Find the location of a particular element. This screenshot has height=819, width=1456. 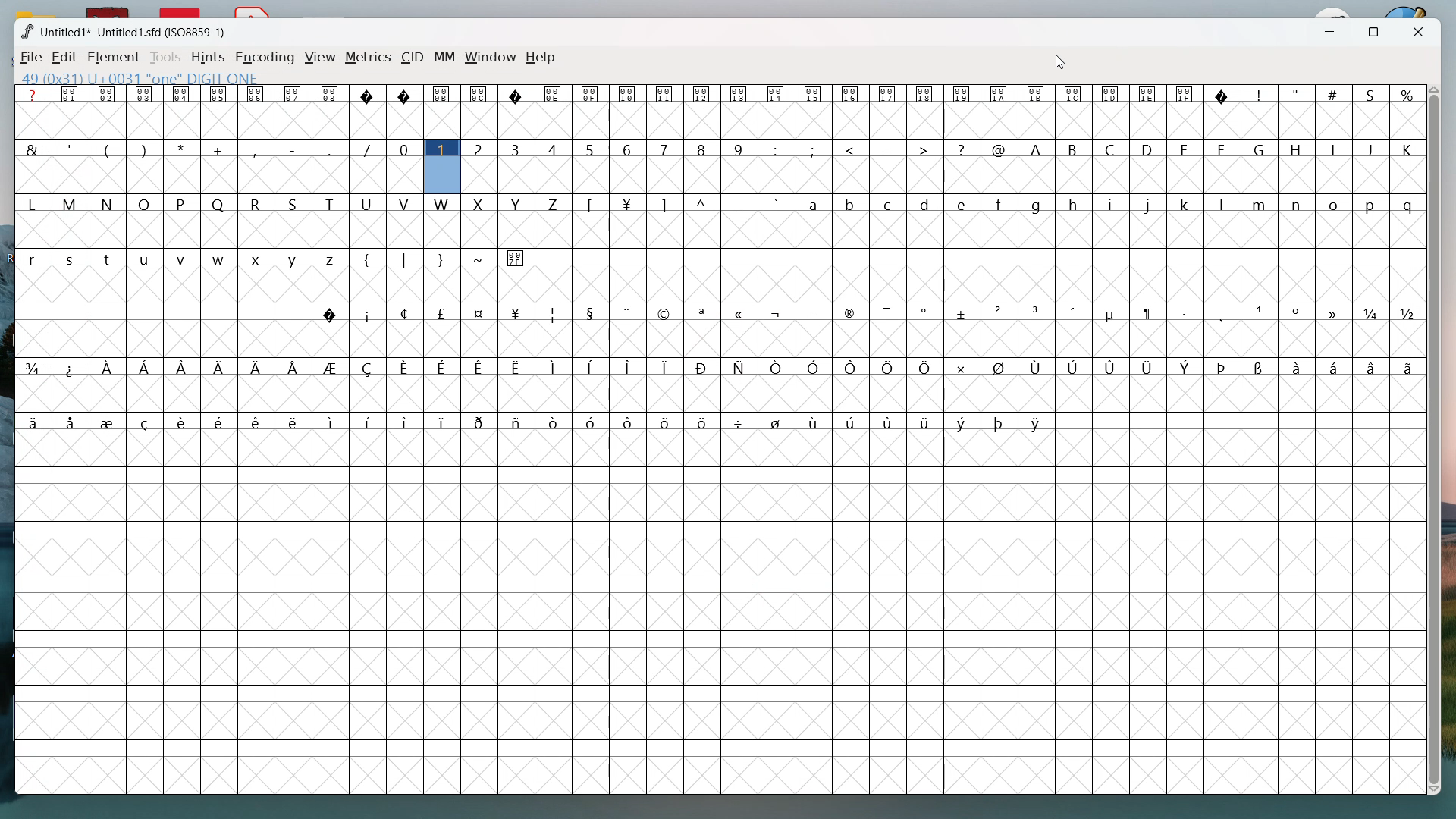

symbol is located at coordinates (851, 313).